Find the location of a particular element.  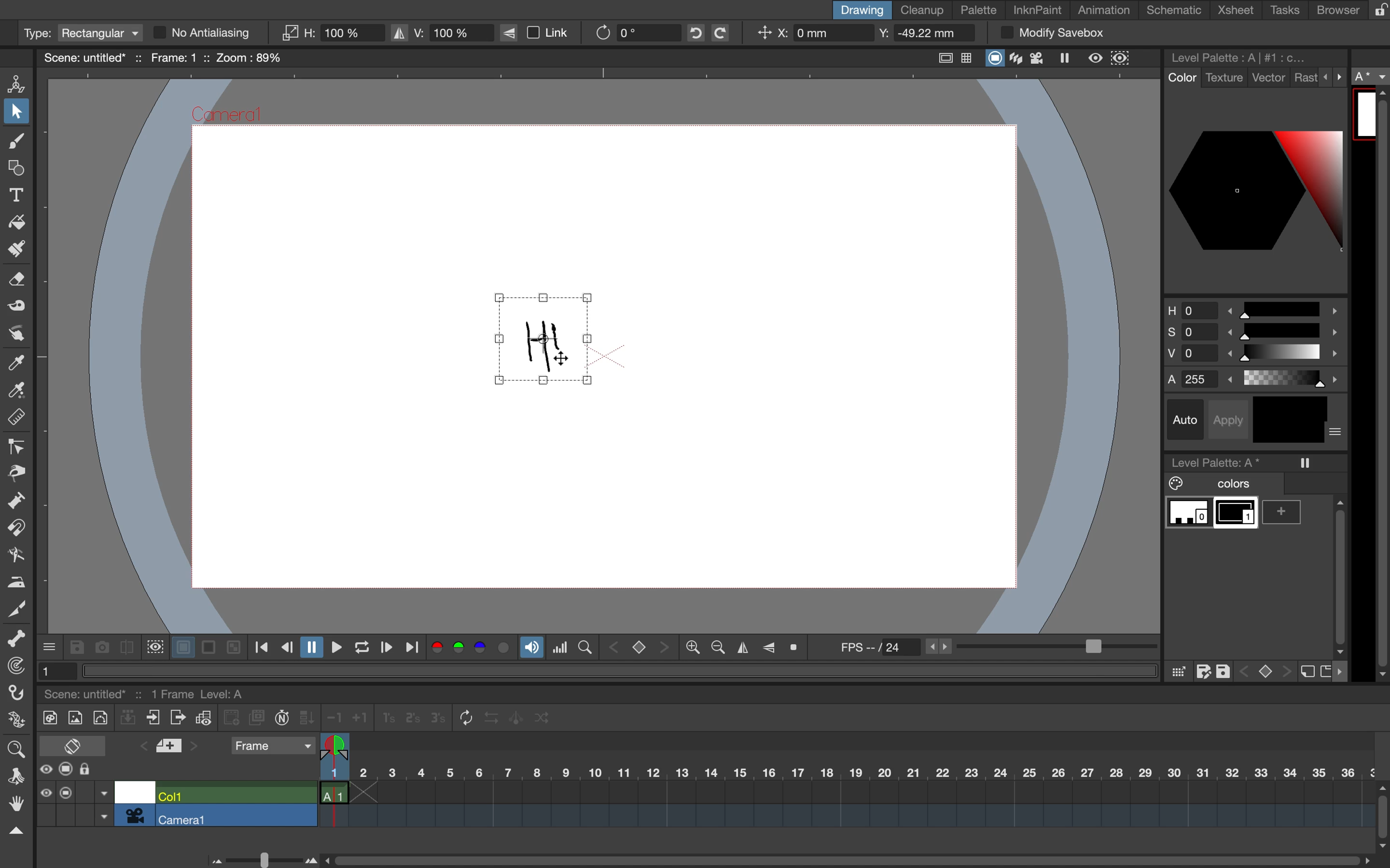

1 is located at coordinates (53, 670).